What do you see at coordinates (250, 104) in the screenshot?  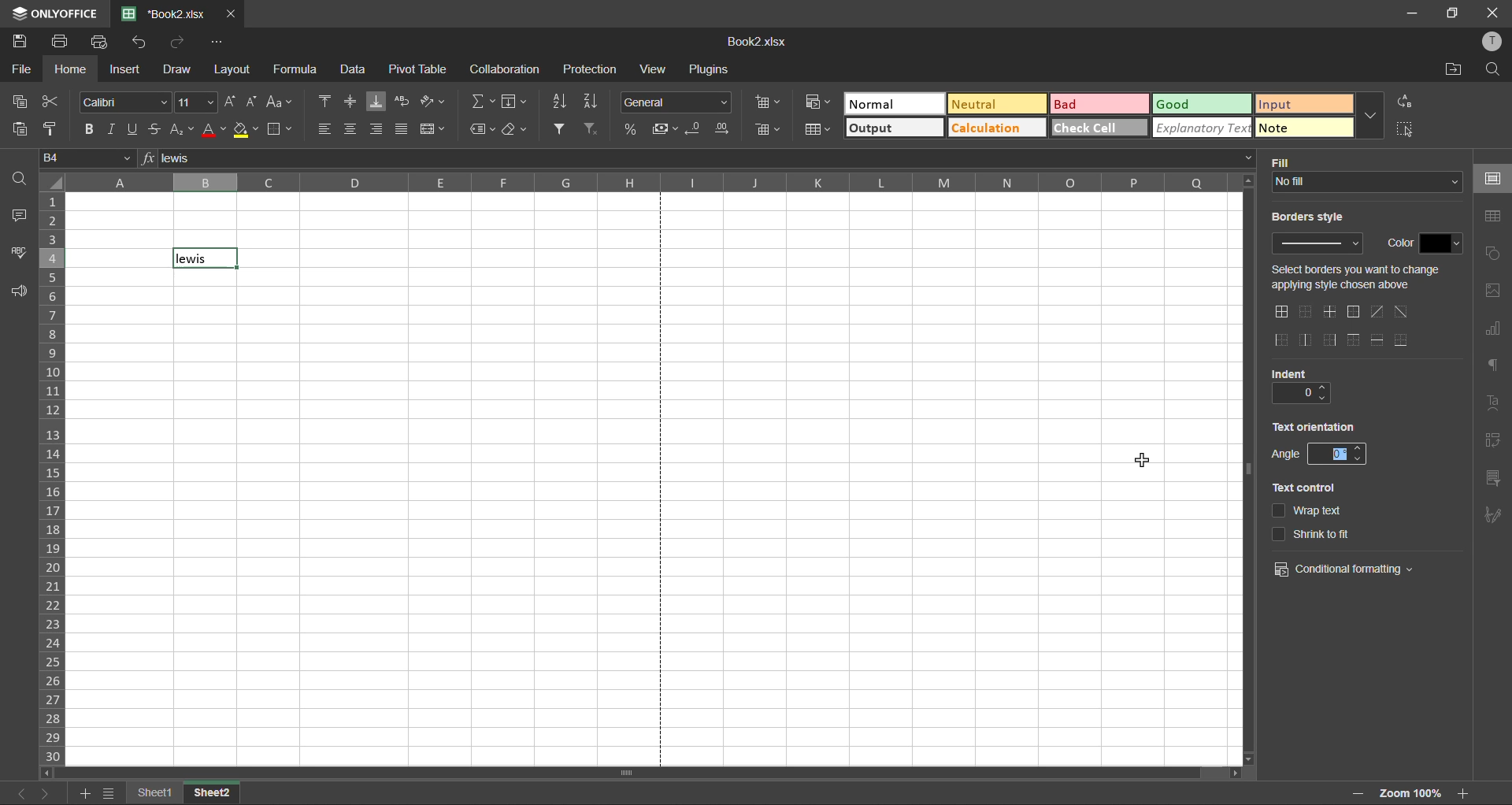 I see `decrement size` at bounding box center [250, 104].